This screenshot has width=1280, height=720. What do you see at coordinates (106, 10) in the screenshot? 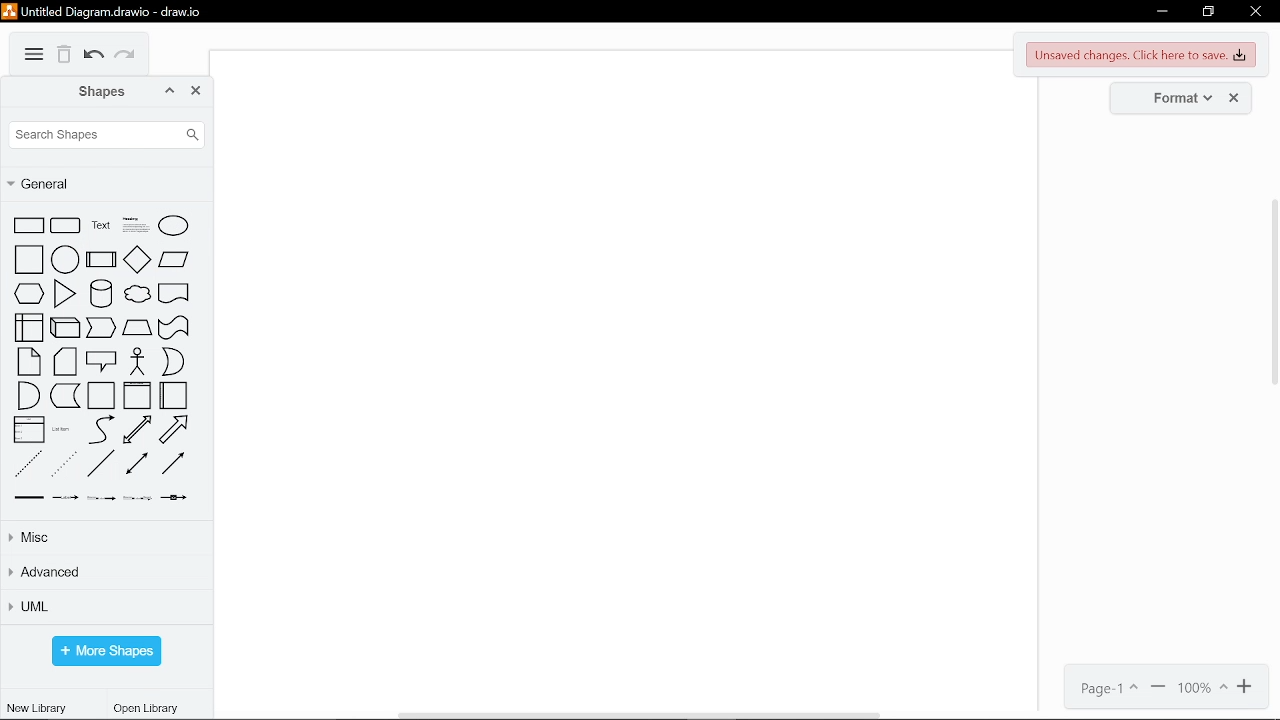
I see `Untitled Diagram.drawio - draw.io` at bounding box center [106, 10].